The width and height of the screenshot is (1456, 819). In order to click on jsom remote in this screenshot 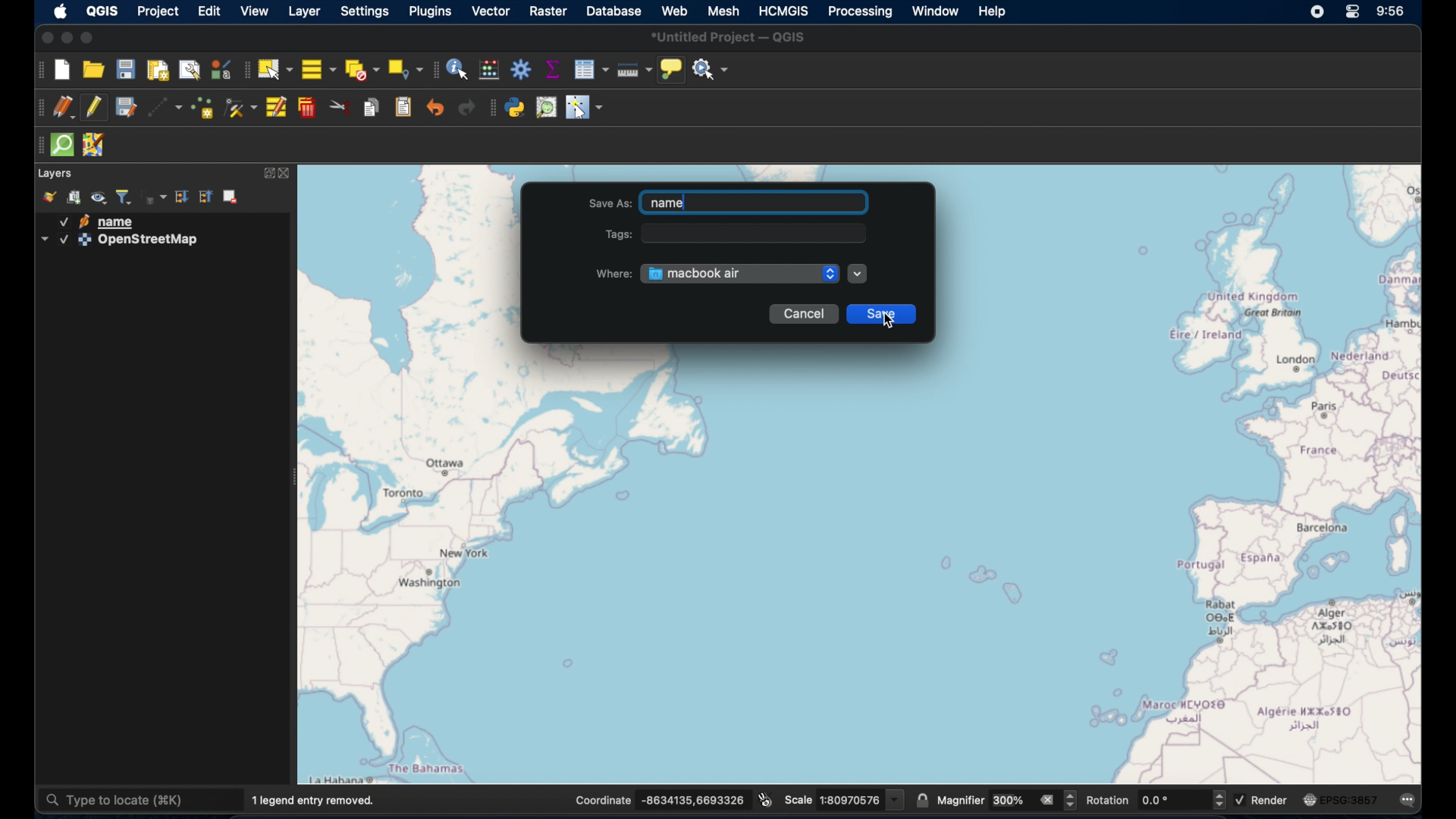, I will do `click(93, 145)`.